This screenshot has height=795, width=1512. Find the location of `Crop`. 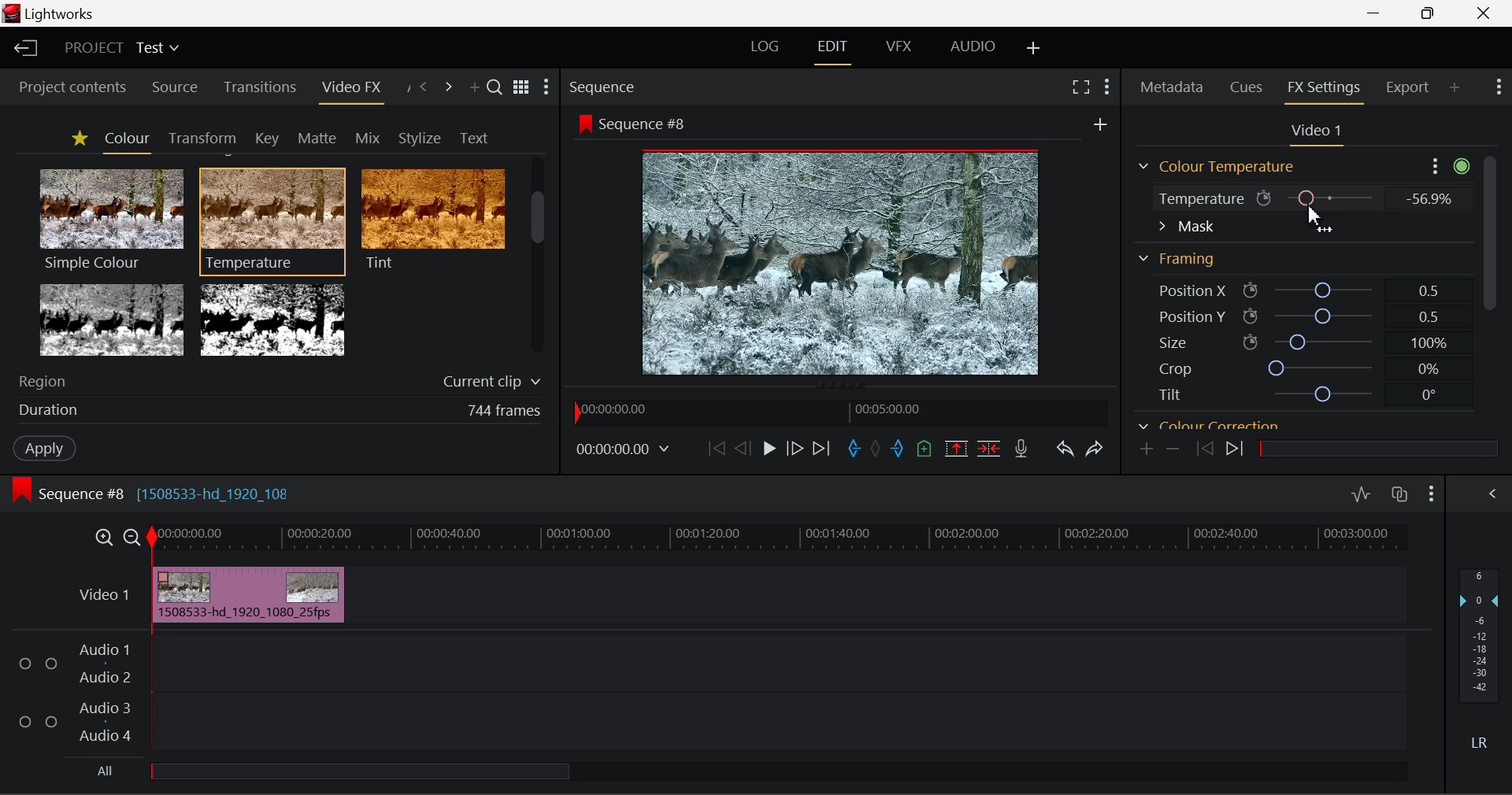

Crop is located at coordinates (1175, 368).